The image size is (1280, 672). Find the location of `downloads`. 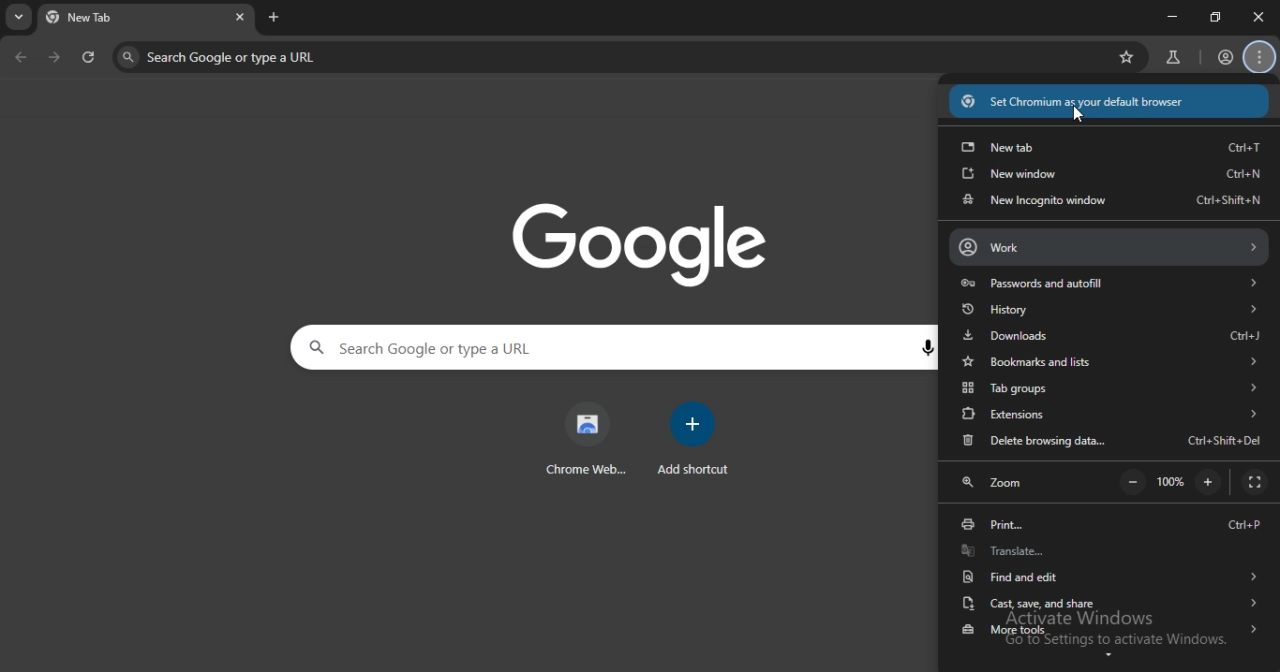

downloads is located at coordinates (1113, 333).